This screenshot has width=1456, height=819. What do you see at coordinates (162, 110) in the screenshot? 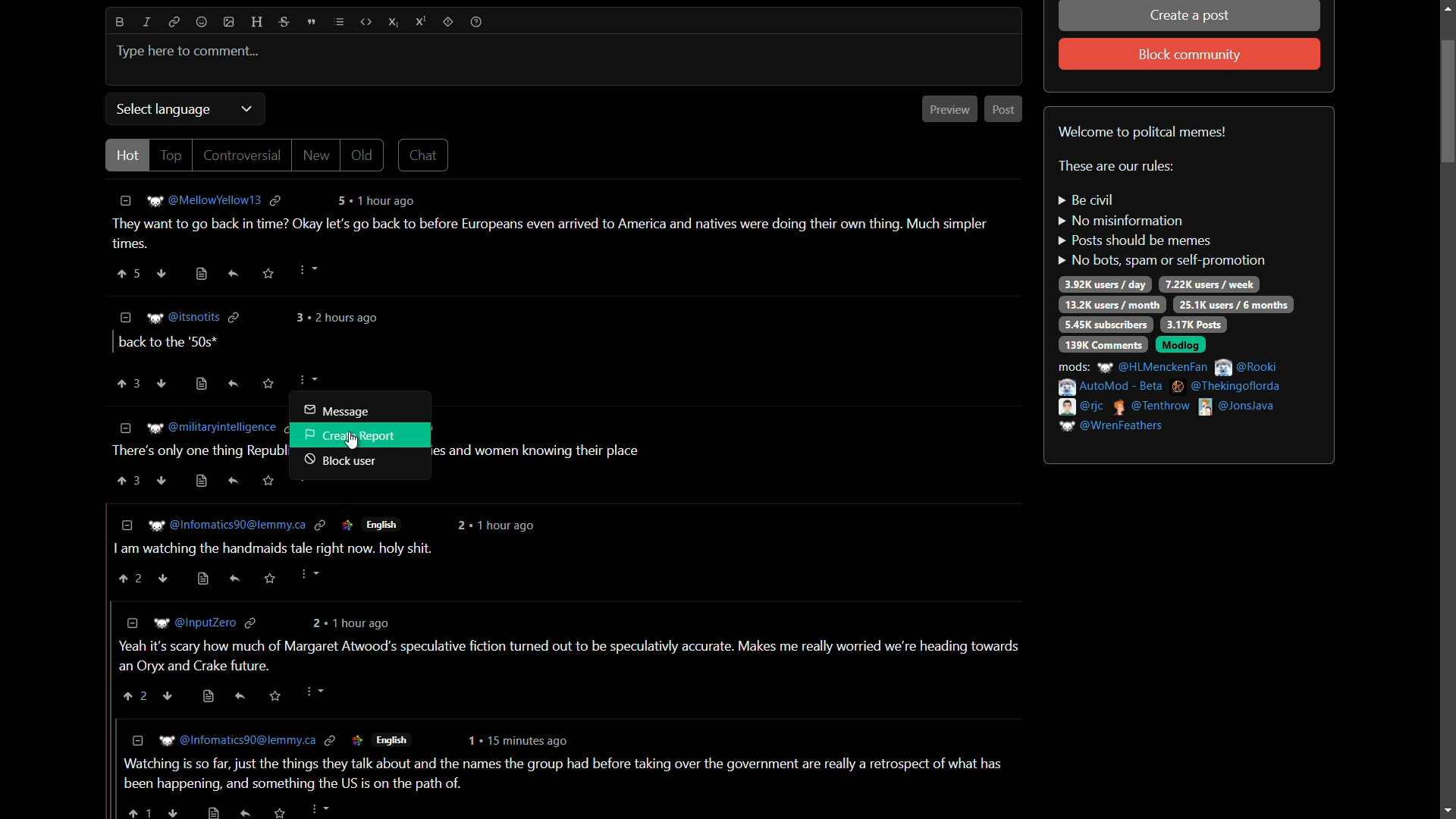
I see `select language` at bounding box center [162, 110].